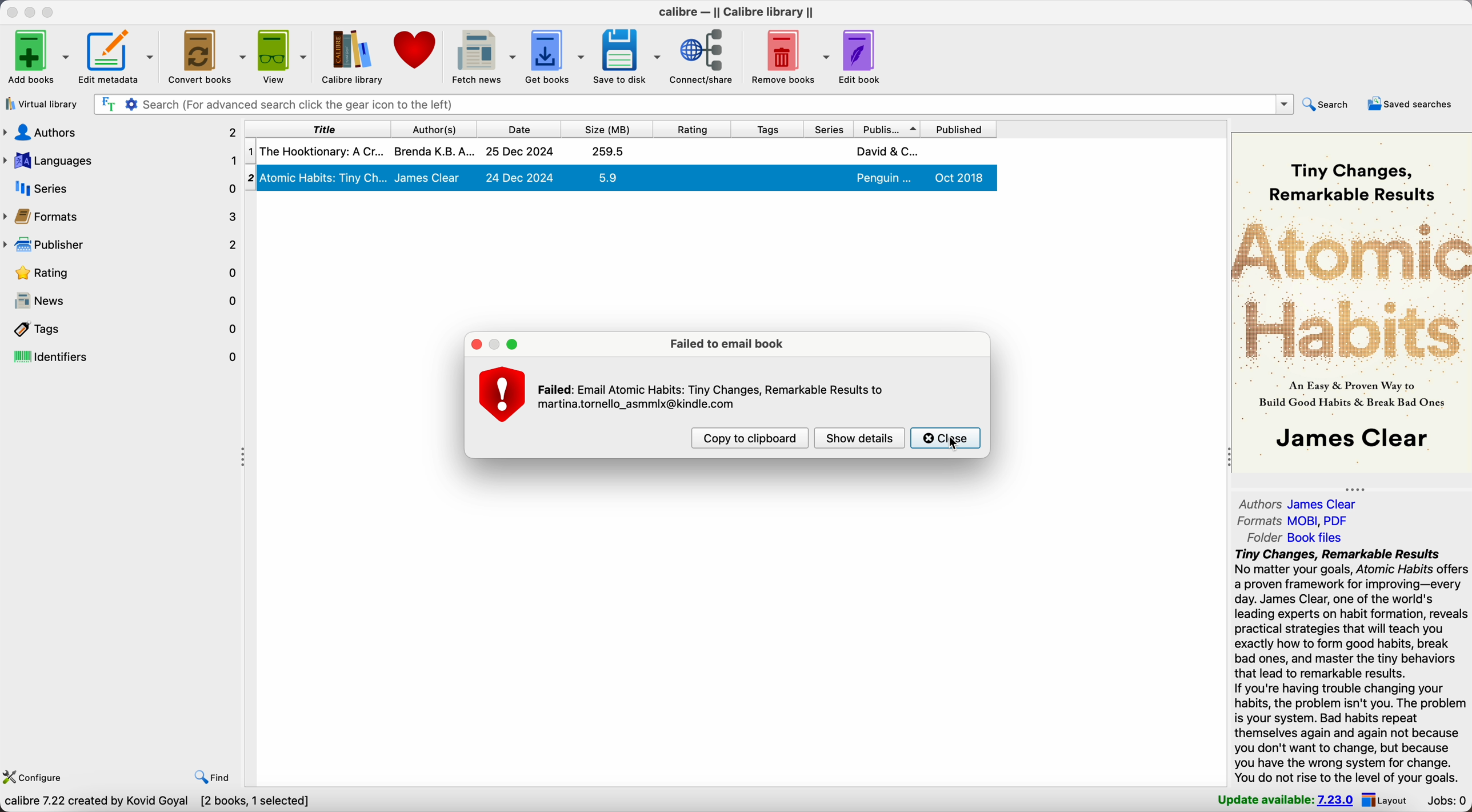 This screenshot has width=1472, height=812. I want to click on layout, so click(1387, 801).